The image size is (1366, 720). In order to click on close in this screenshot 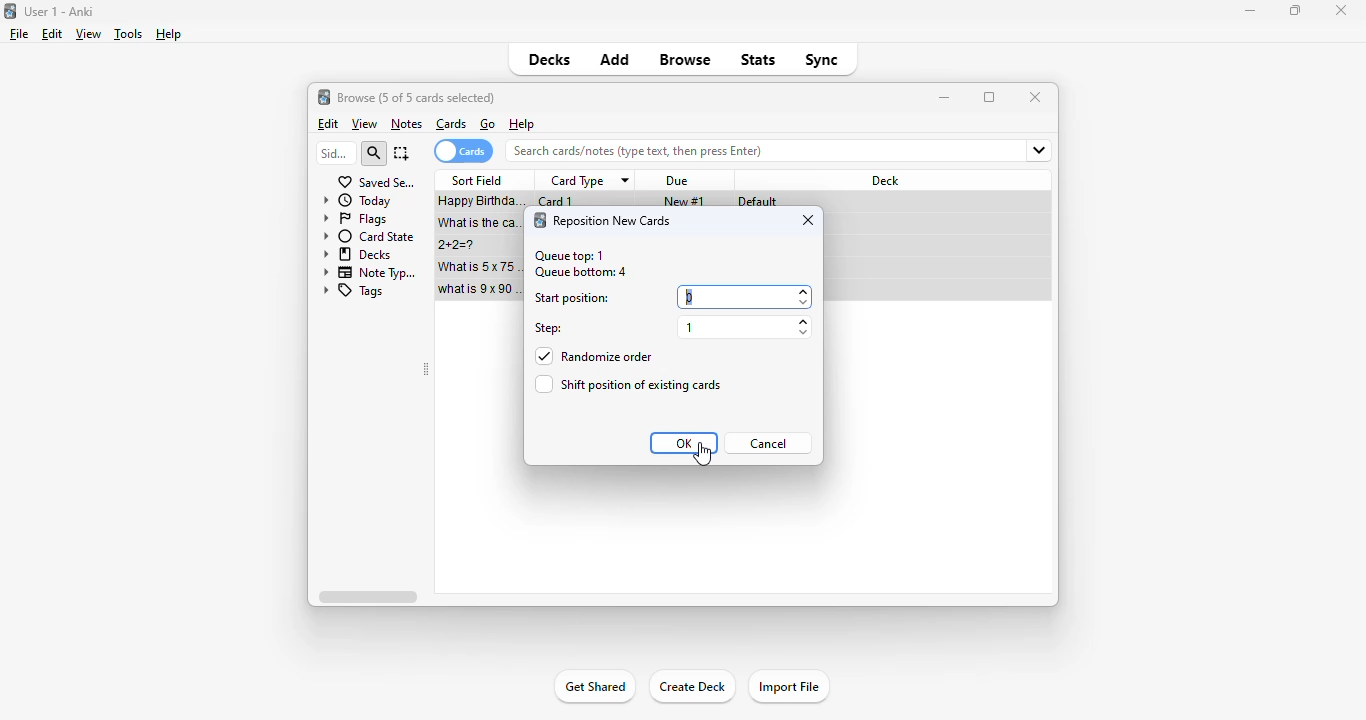, I will do `click(1341, 11)`.